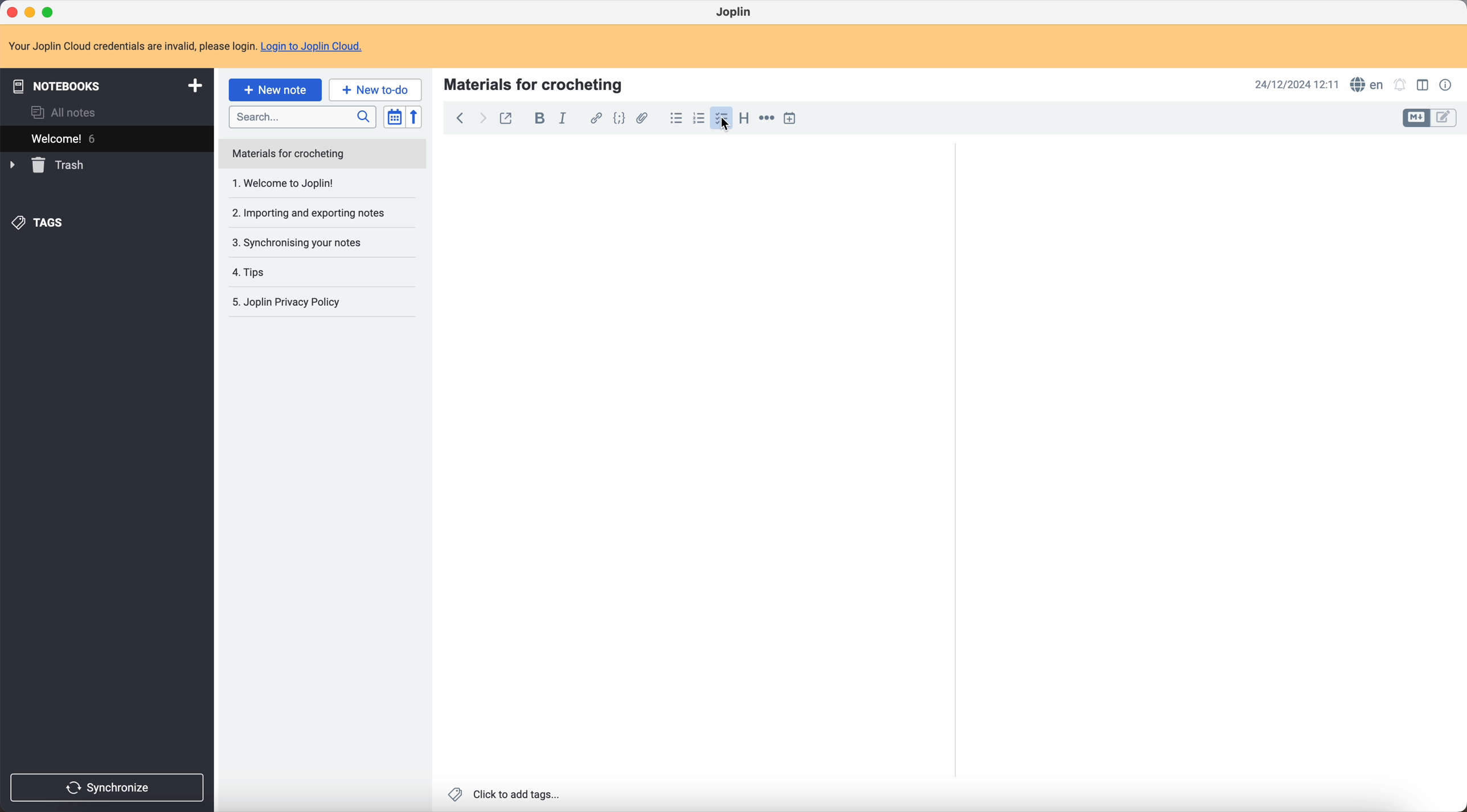  Describe the element at coordinates (14, 12) in the screenshot. I see `close` at that location.